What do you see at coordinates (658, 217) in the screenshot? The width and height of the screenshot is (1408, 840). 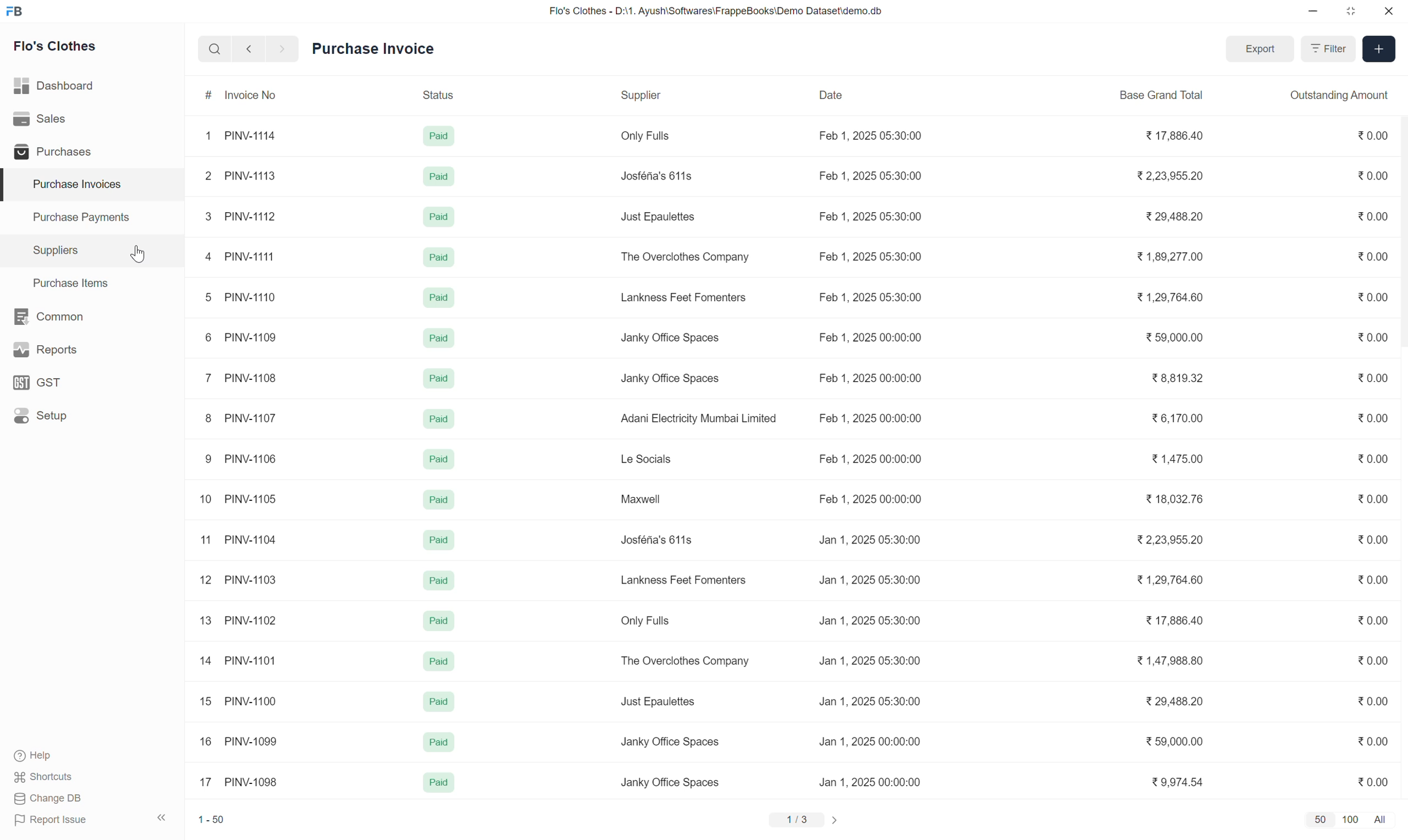 I see `Just Epaulettes` at bounding box center [658, 217].